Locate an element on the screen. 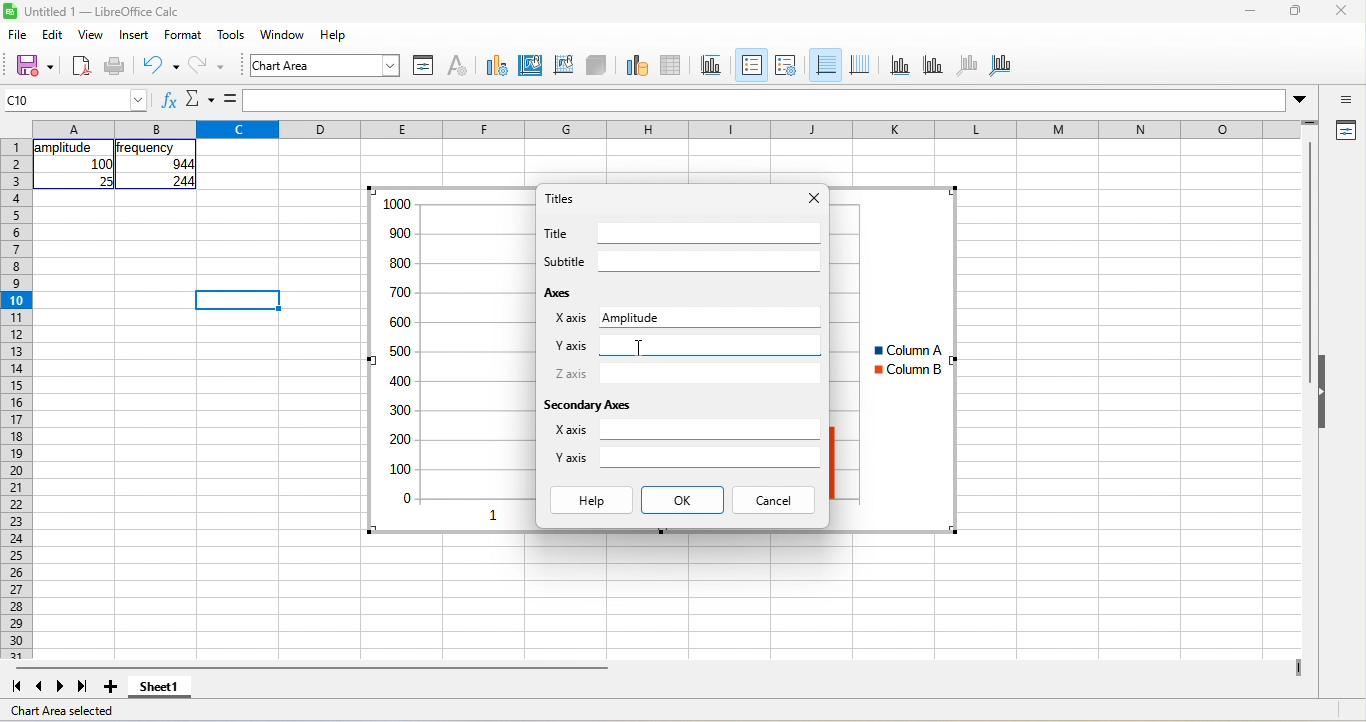 This screenshot has width=1366, height=722. rows is located at coordinates (16, 399).